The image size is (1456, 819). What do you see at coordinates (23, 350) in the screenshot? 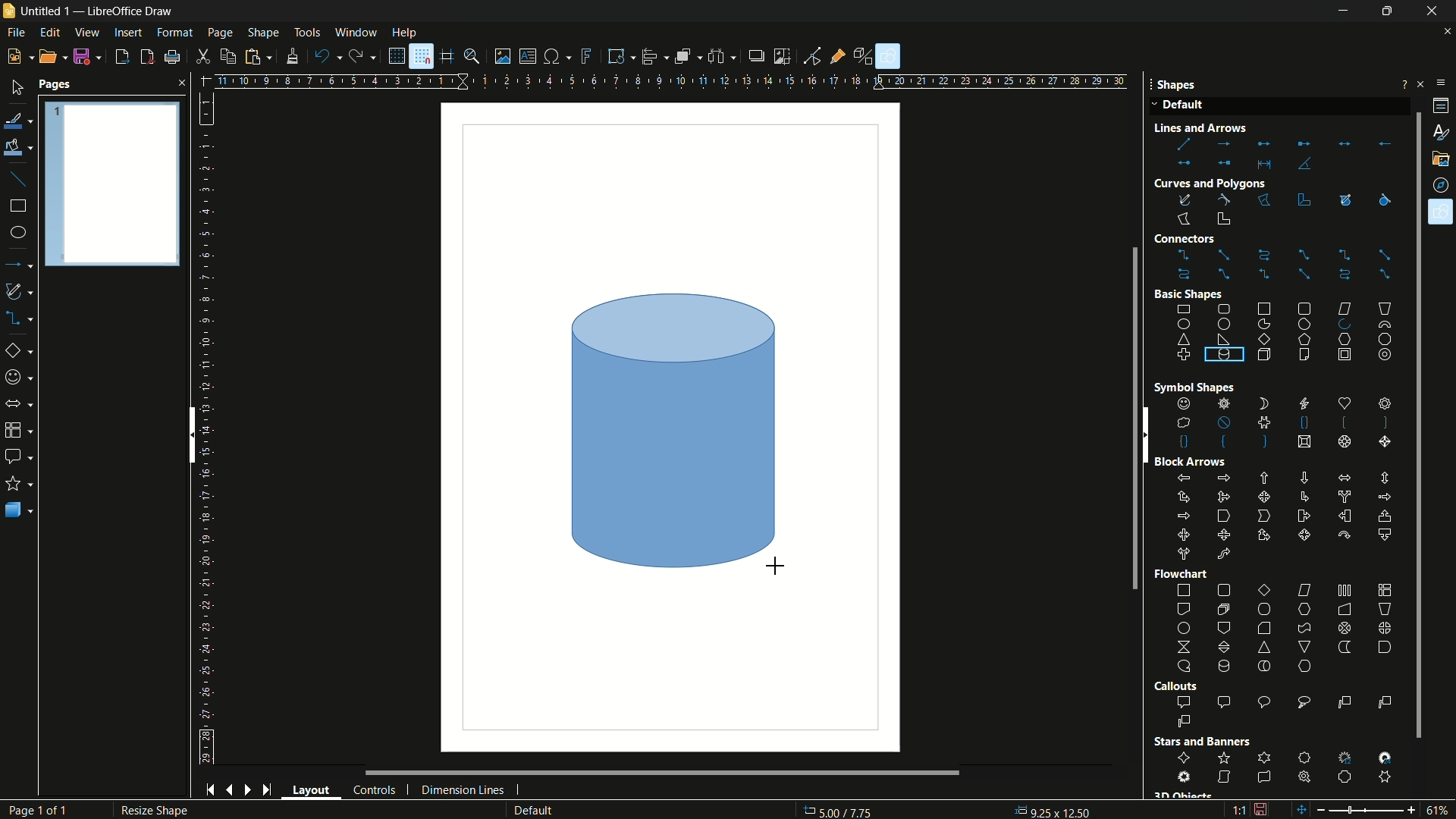
I see `basic shapes` at bounding box center [23, 350].